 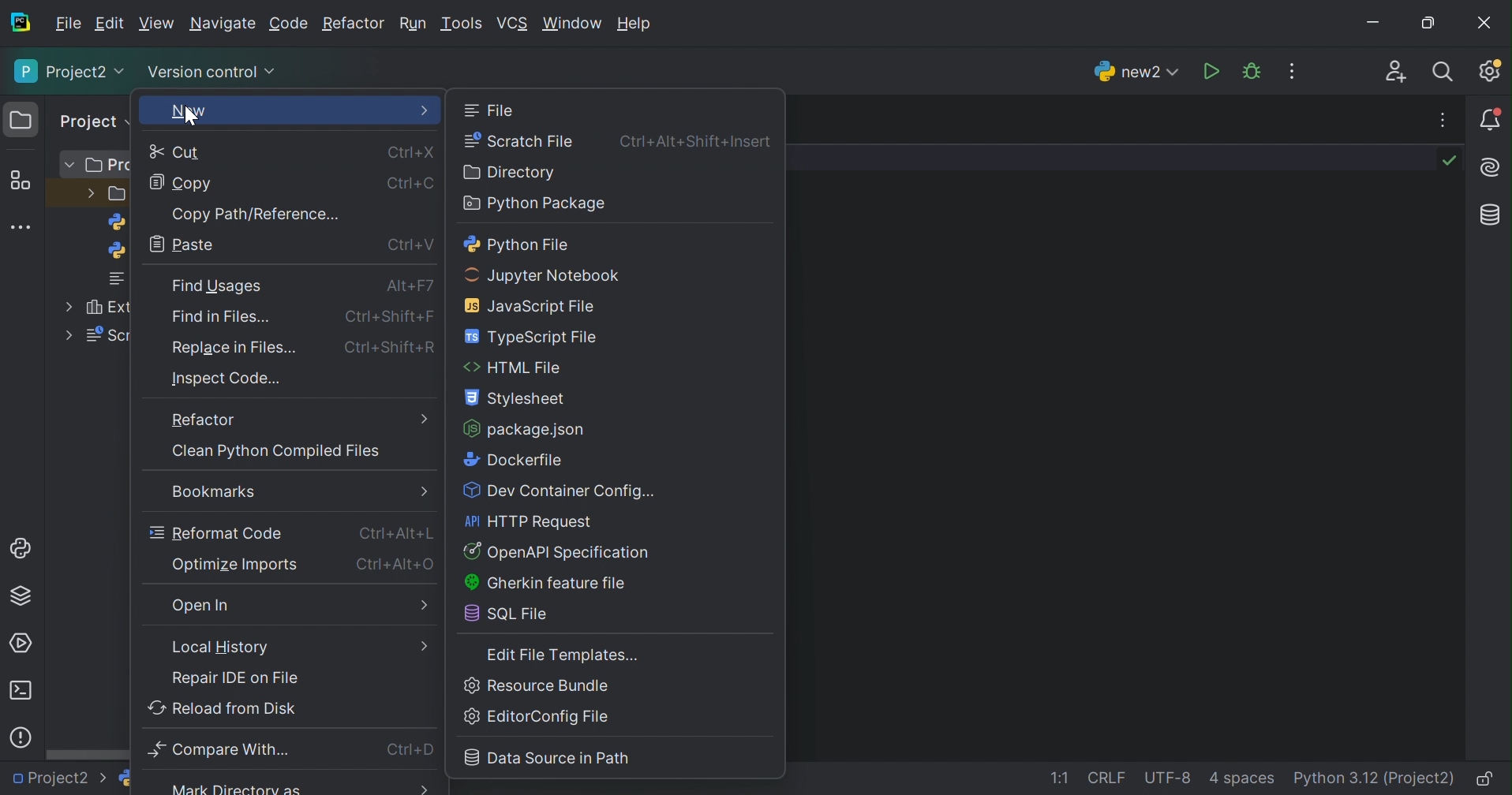 I want to click on Updates available. IDE and Project Settings., so click(x=1492, y=71).